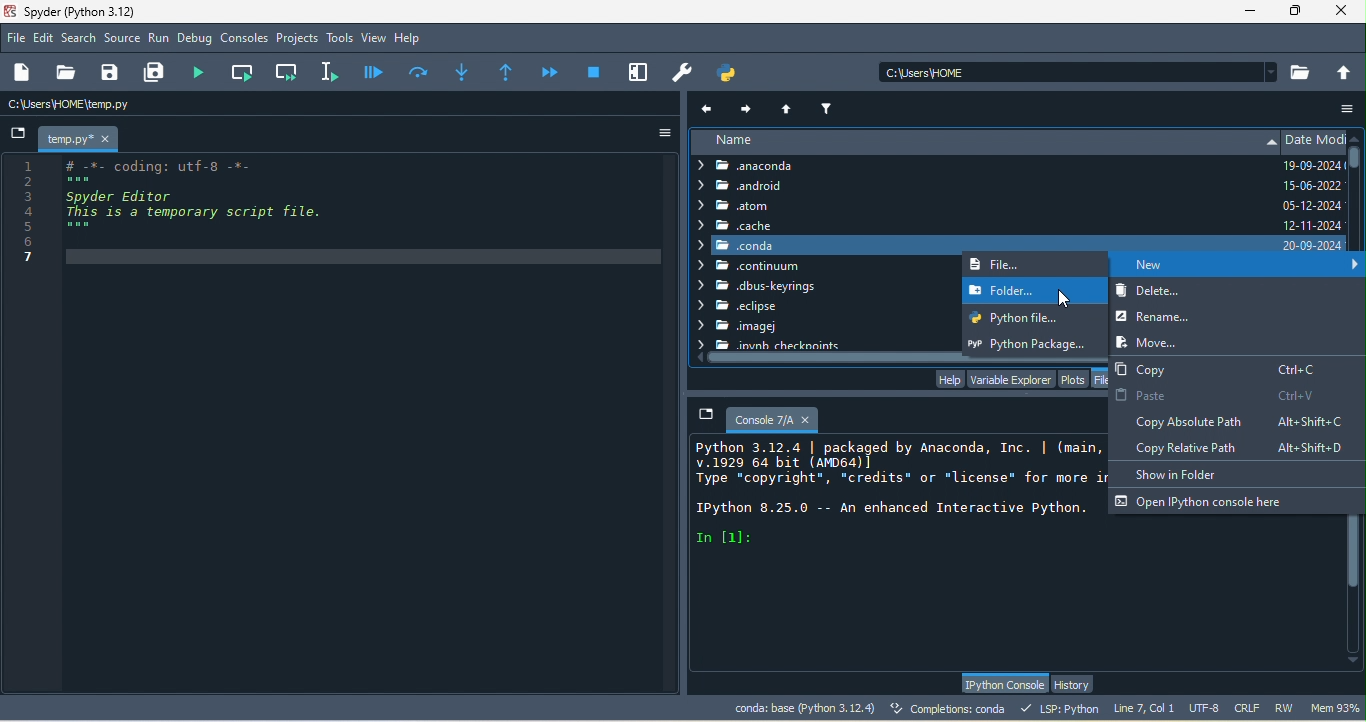 This screenshot has width=1366, height=722. I want to click on cache, so click(736, 225).